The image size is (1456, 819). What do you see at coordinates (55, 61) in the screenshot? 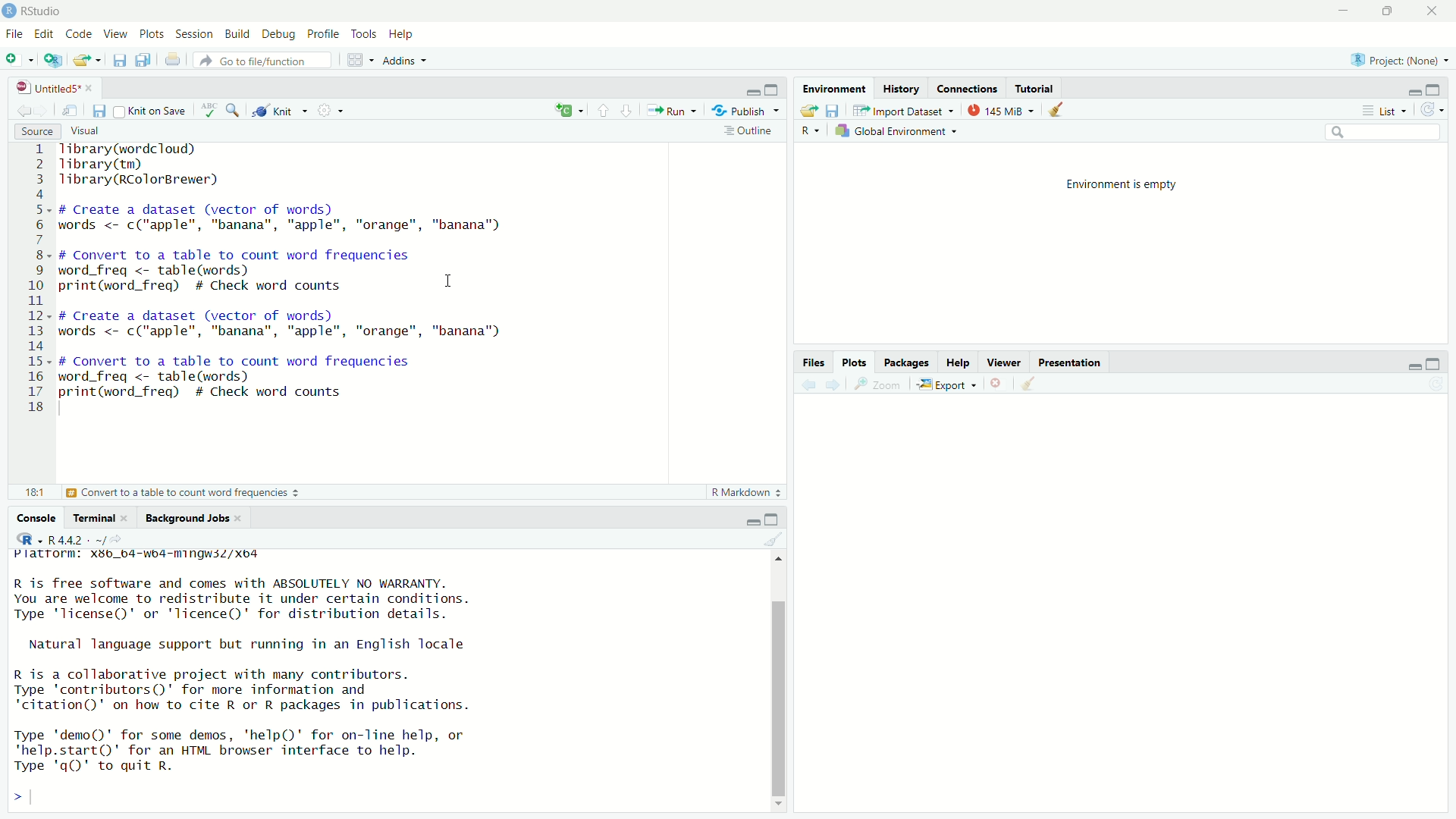
I see `Create a Project` at bounding box center [55, 61].